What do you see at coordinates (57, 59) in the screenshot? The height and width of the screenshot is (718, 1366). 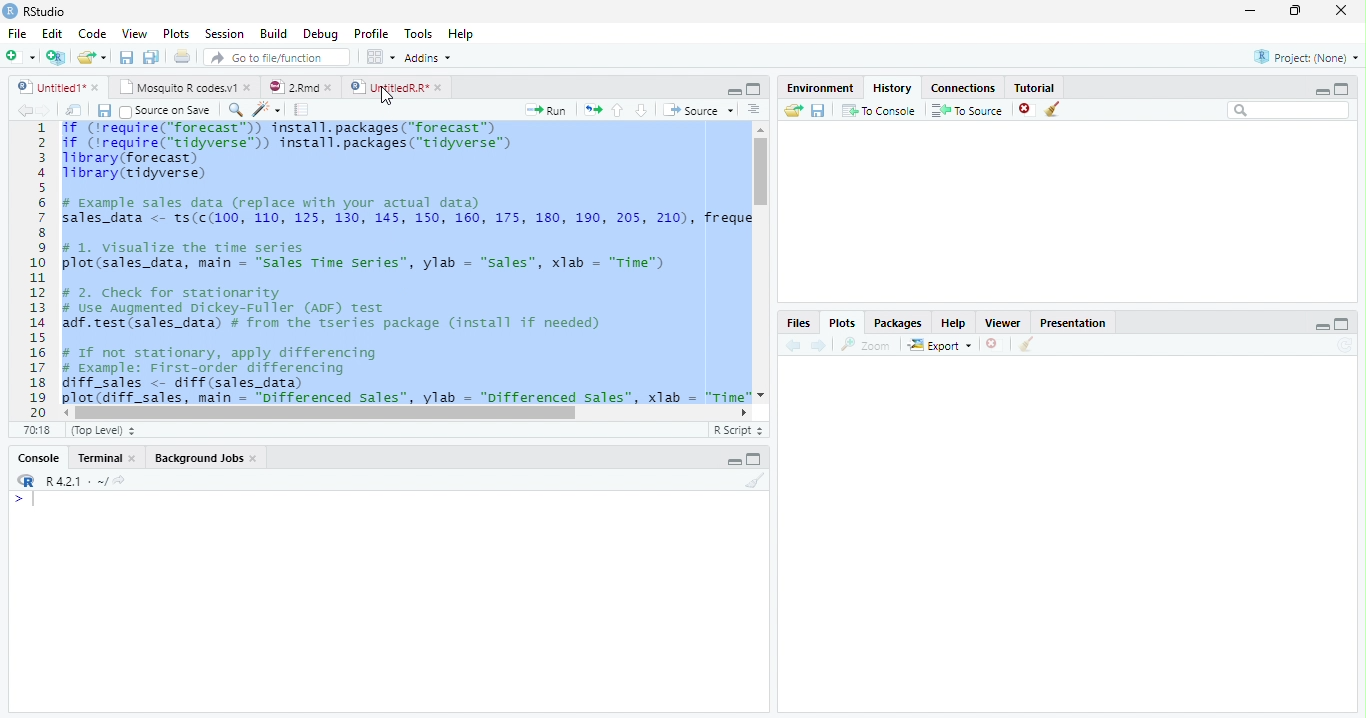 I see `Create a project` at bounding box center [57, 59].